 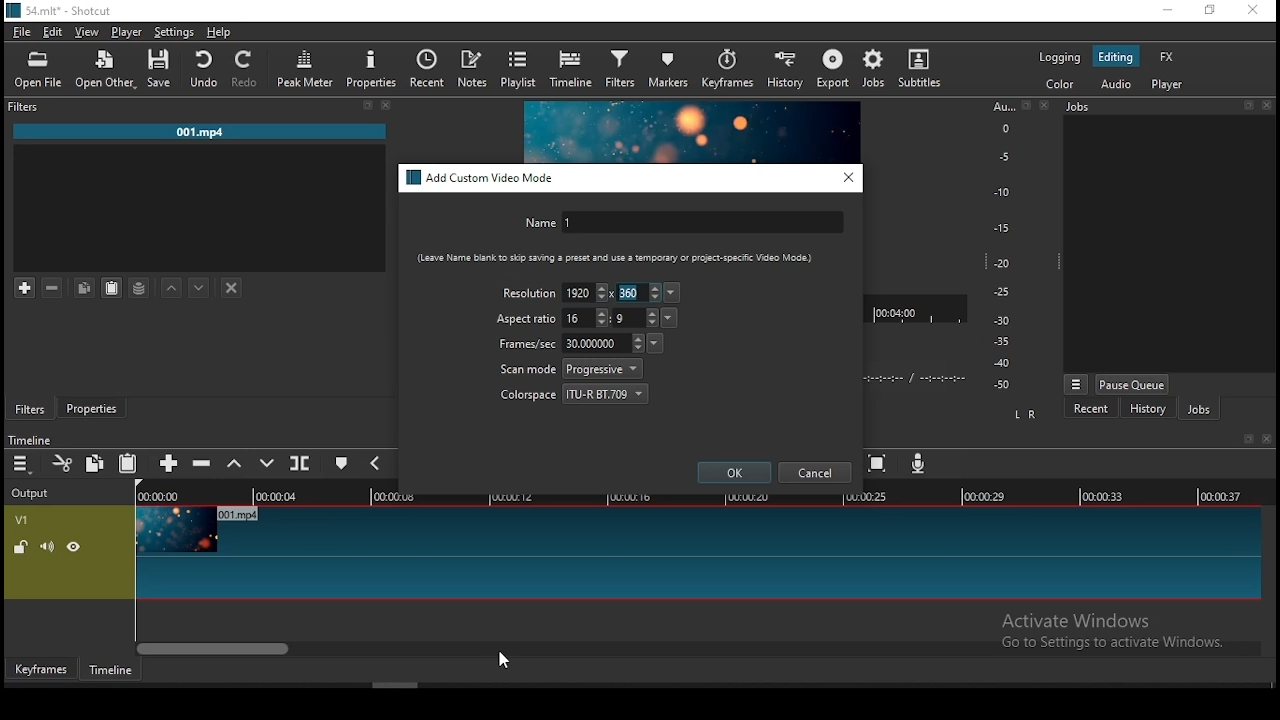 I want to click on filters, so click(x=30, y=409).